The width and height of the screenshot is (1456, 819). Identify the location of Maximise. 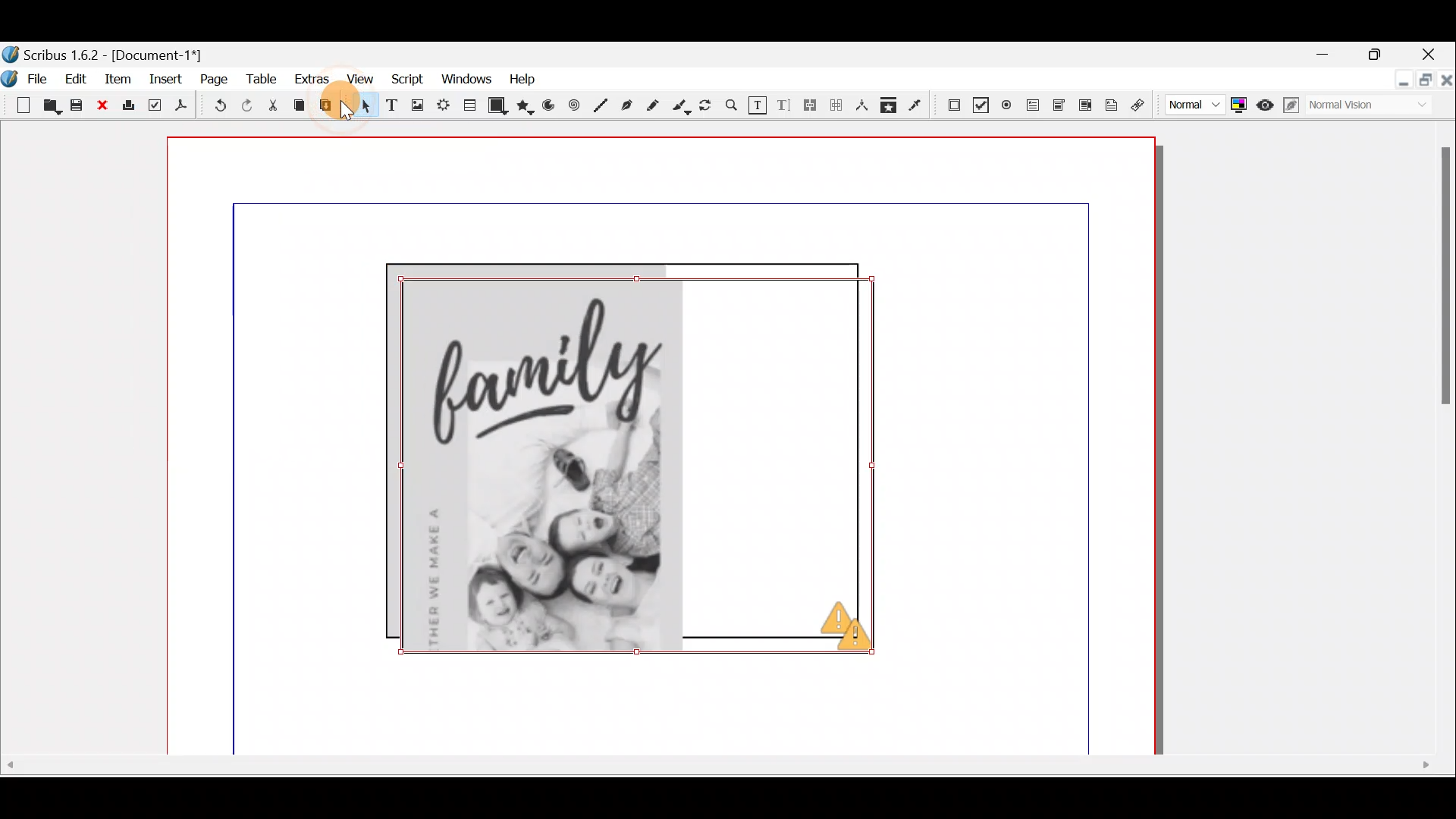
(1377, 54).